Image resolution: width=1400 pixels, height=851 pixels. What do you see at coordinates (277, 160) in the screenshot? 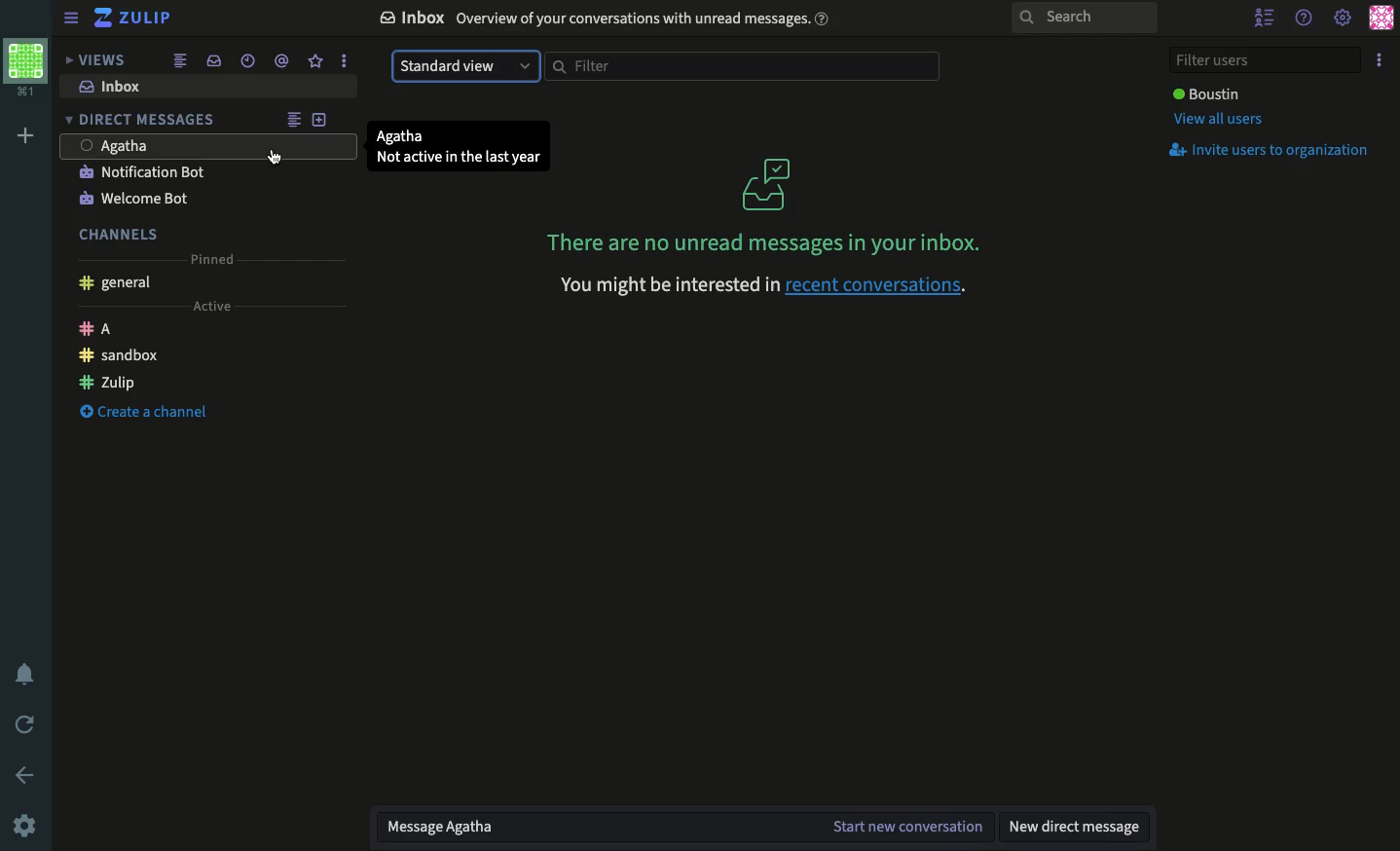
I see `Cursor` at bounding box center [277, 160].